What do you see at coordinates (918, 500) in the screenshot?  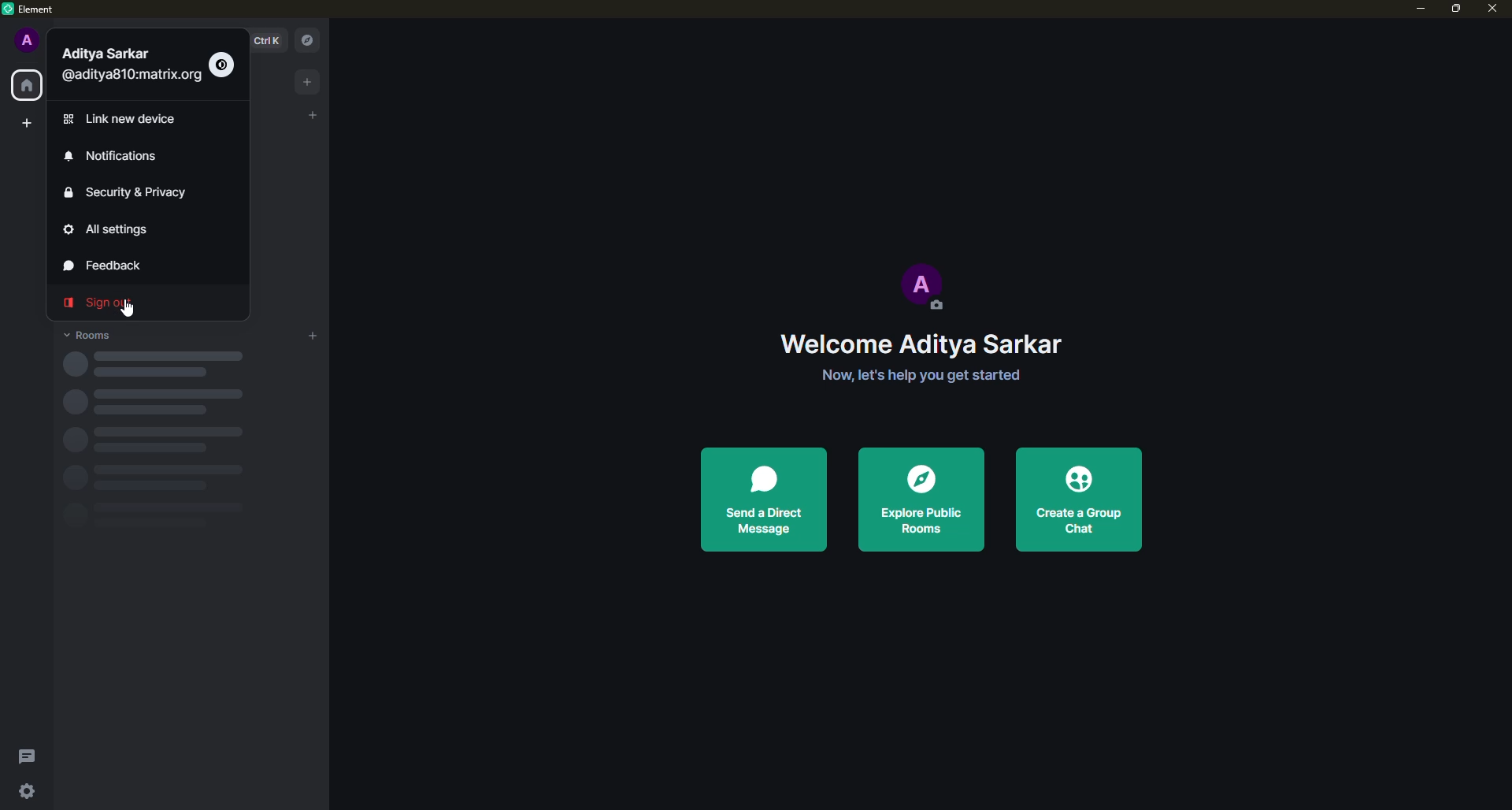 I see `explore public rooms` at bounding box center [918, 500].